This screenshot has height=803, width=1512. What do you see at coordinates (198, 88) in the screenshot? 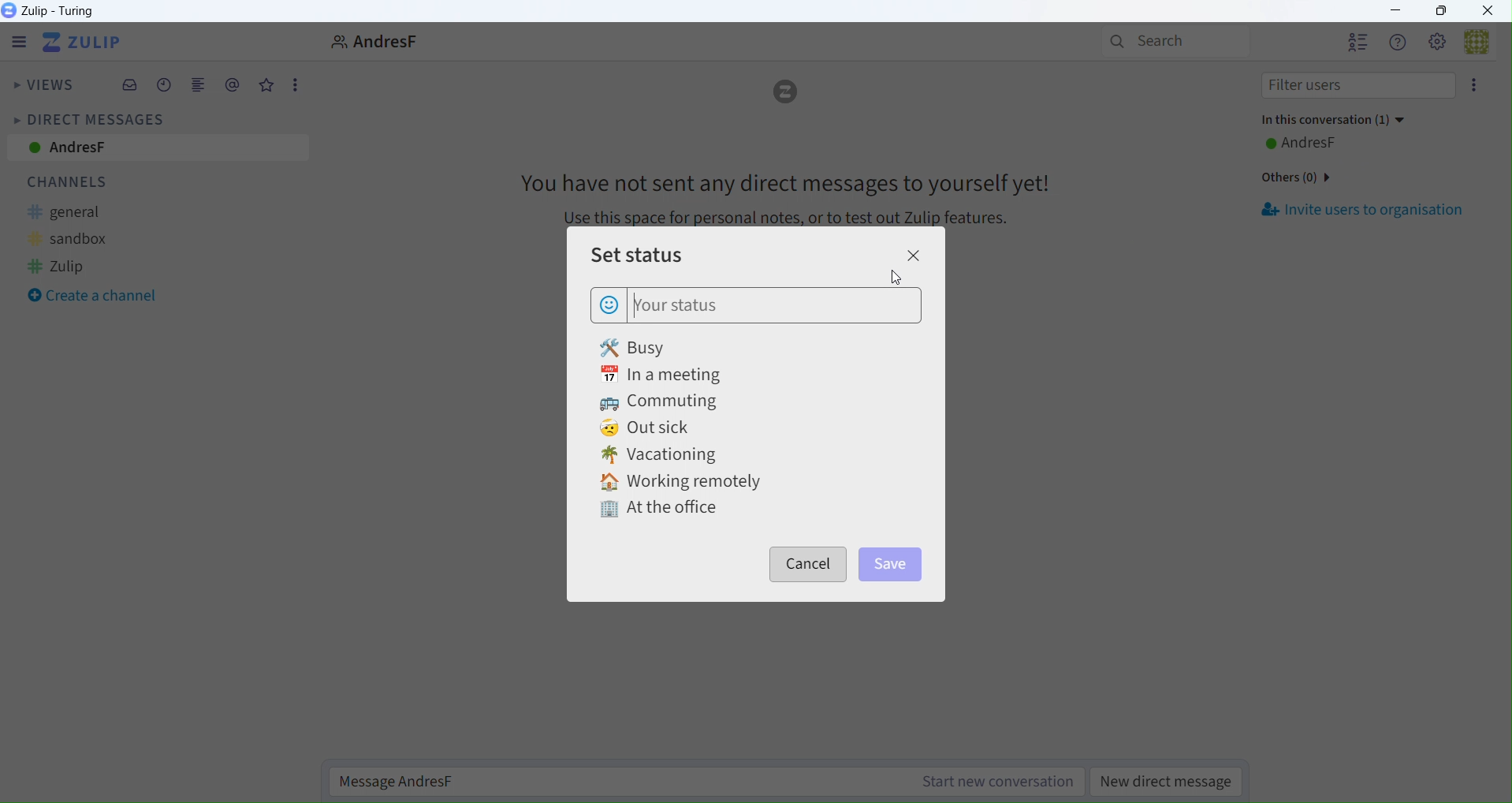
I see `Merge View` at bounding box center [198, 88].